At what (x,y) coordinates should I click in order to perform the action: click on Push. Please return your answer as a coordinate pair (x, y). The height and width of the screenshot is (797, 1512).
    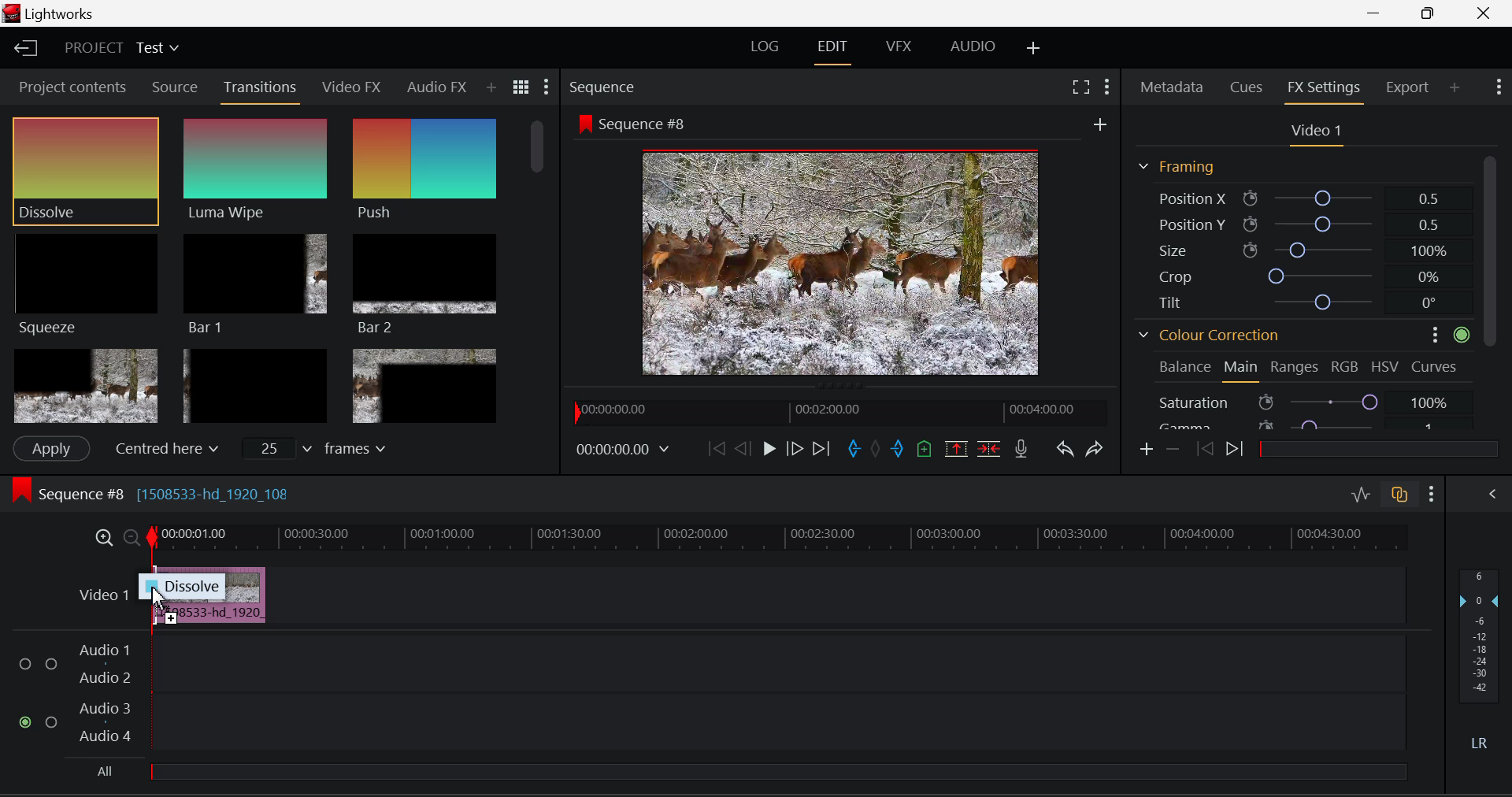
    Looking at the image, I should click on (424, 170).